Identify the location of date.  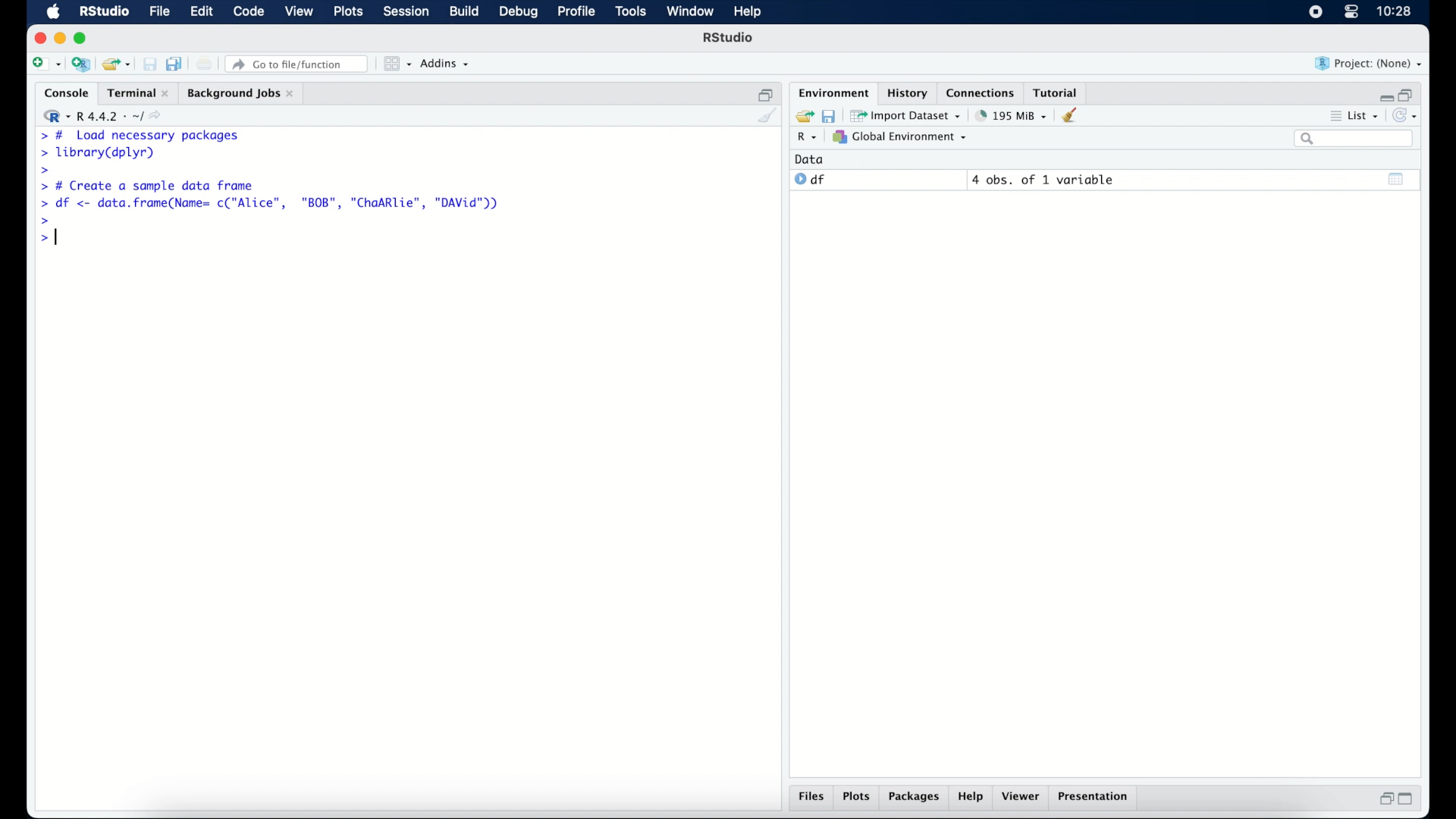
(810, 158).